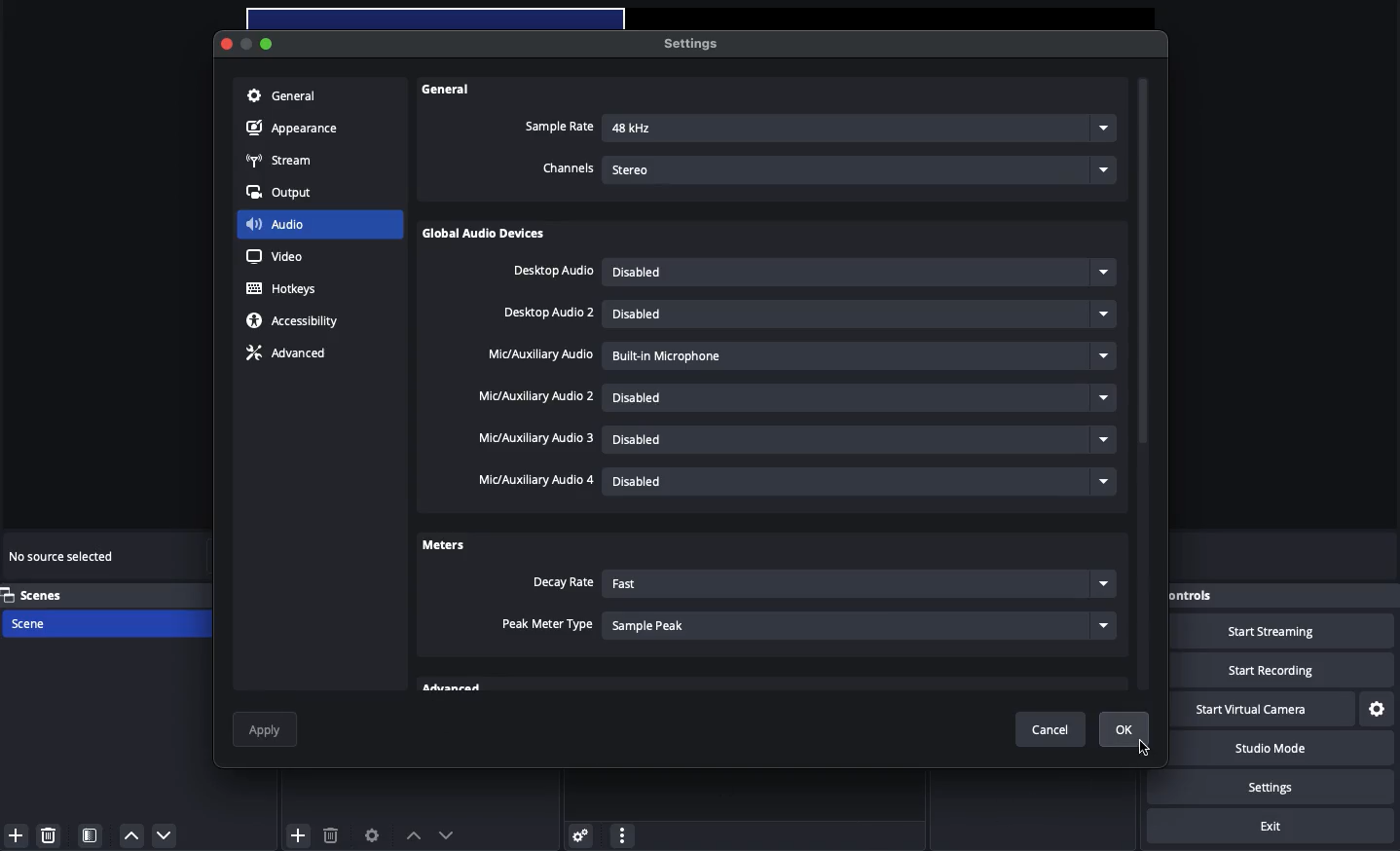  Describe the element at coordinates (861, 129) in the screenshot. I see `48` at that location.